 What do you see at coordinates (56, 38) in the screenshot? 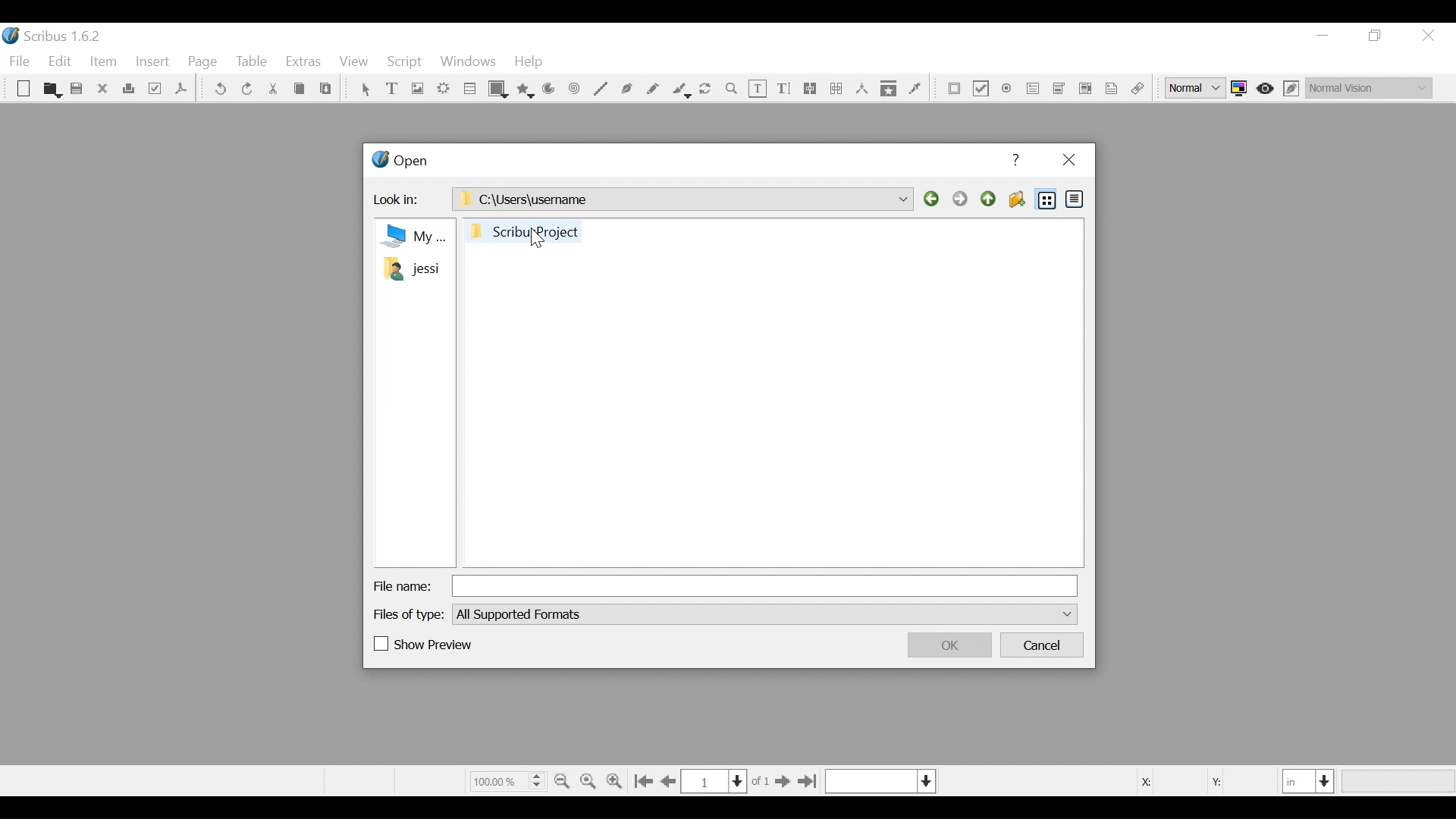
I see `Scribus Desktop Icon` at bounding box center [56, 38].